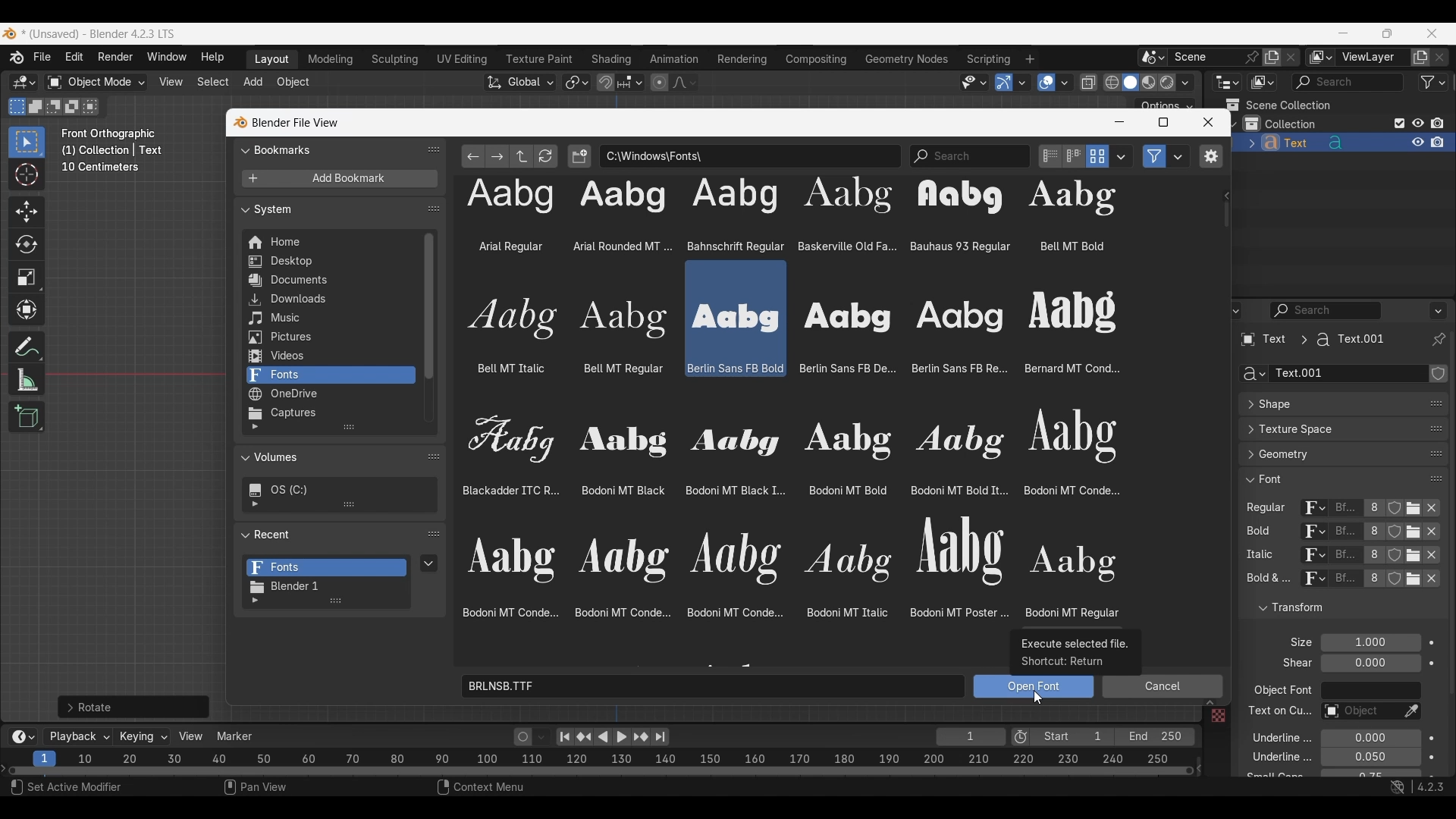 This screenshot has height=819, width=1456. Describe the element at coordinates (1373, 509) in the screenshot. I see `Display number of users of this data for respective attribute` at that location.